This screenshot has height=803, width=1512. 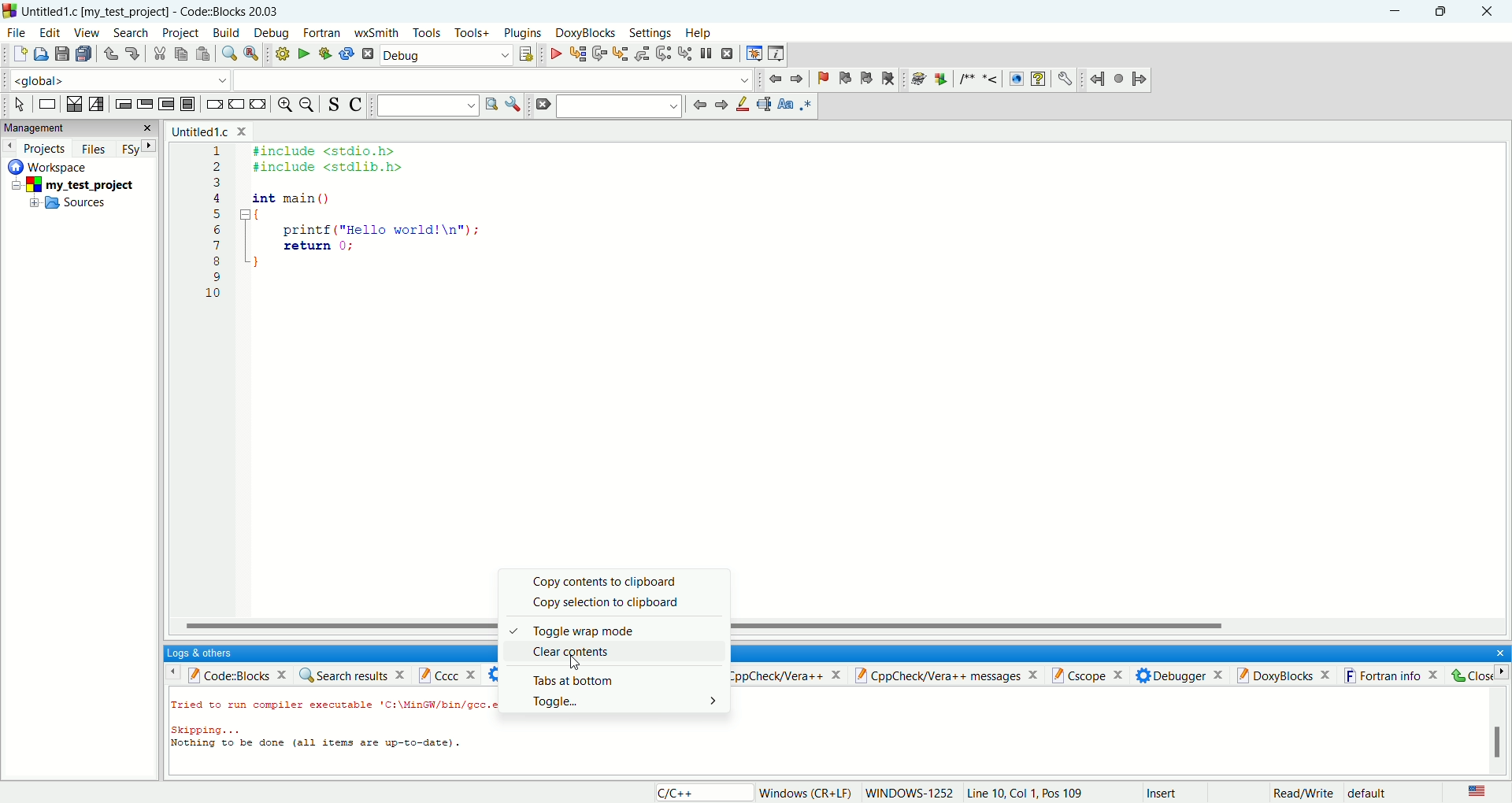 What do you see at coordinates (948, 675) in the screenshot?
I see `Cppcheck/vera++ messages` at bounding box center [948, 675].